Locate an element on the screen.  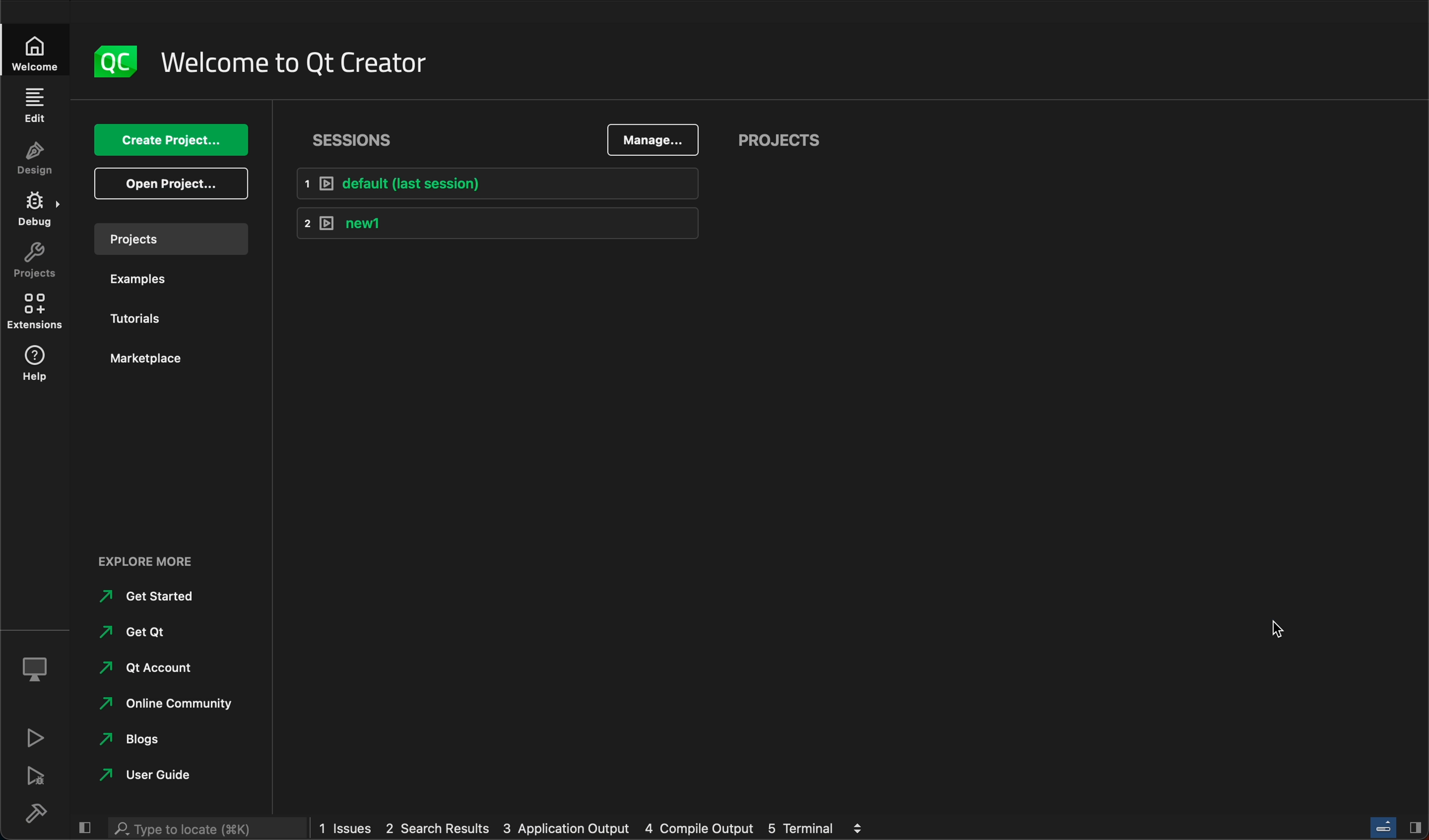
marketplace is located at coordinates (149, 357).